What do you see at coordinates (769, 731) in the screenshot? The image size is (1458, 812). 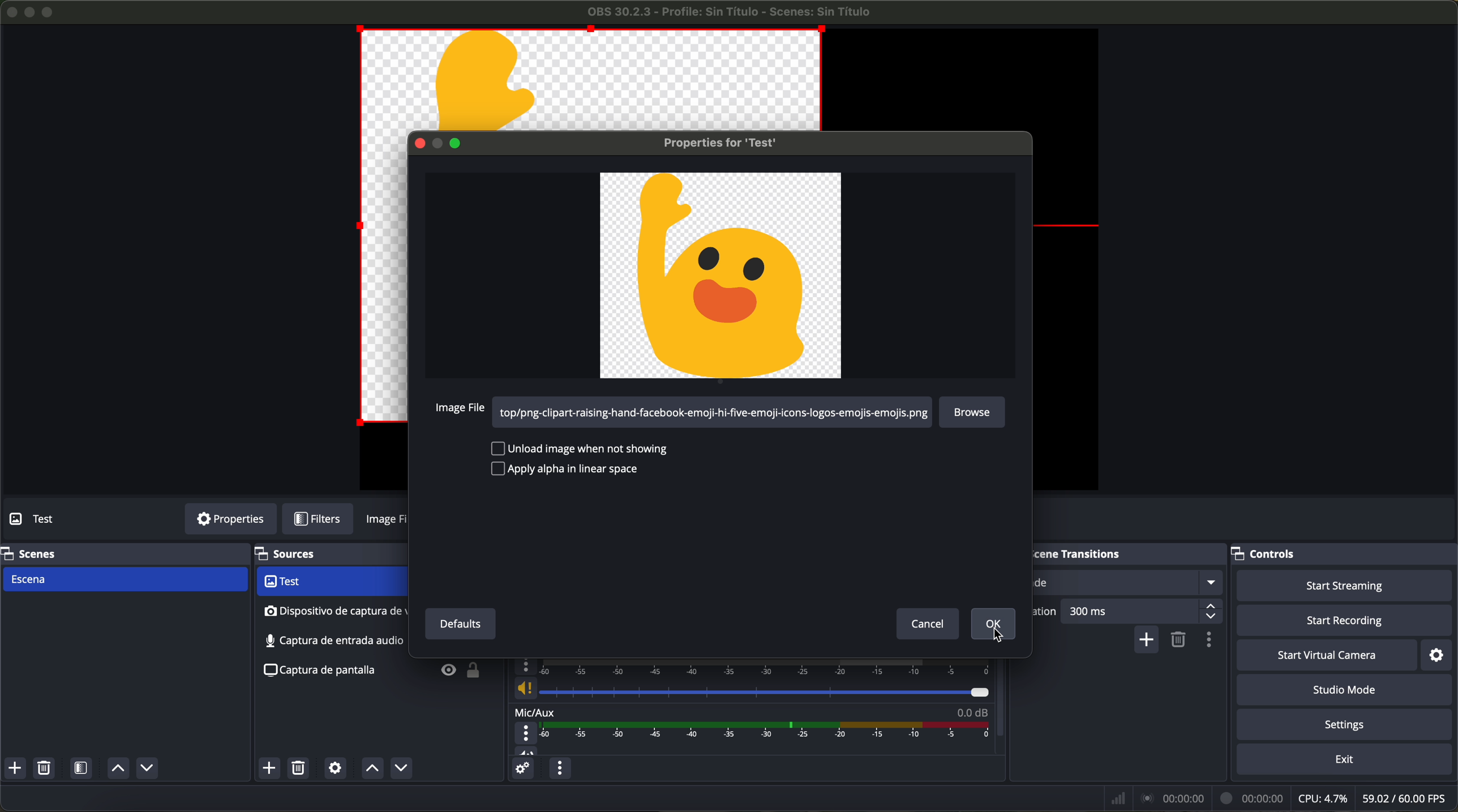 I see `timeline` at bounding box center [769, 731].